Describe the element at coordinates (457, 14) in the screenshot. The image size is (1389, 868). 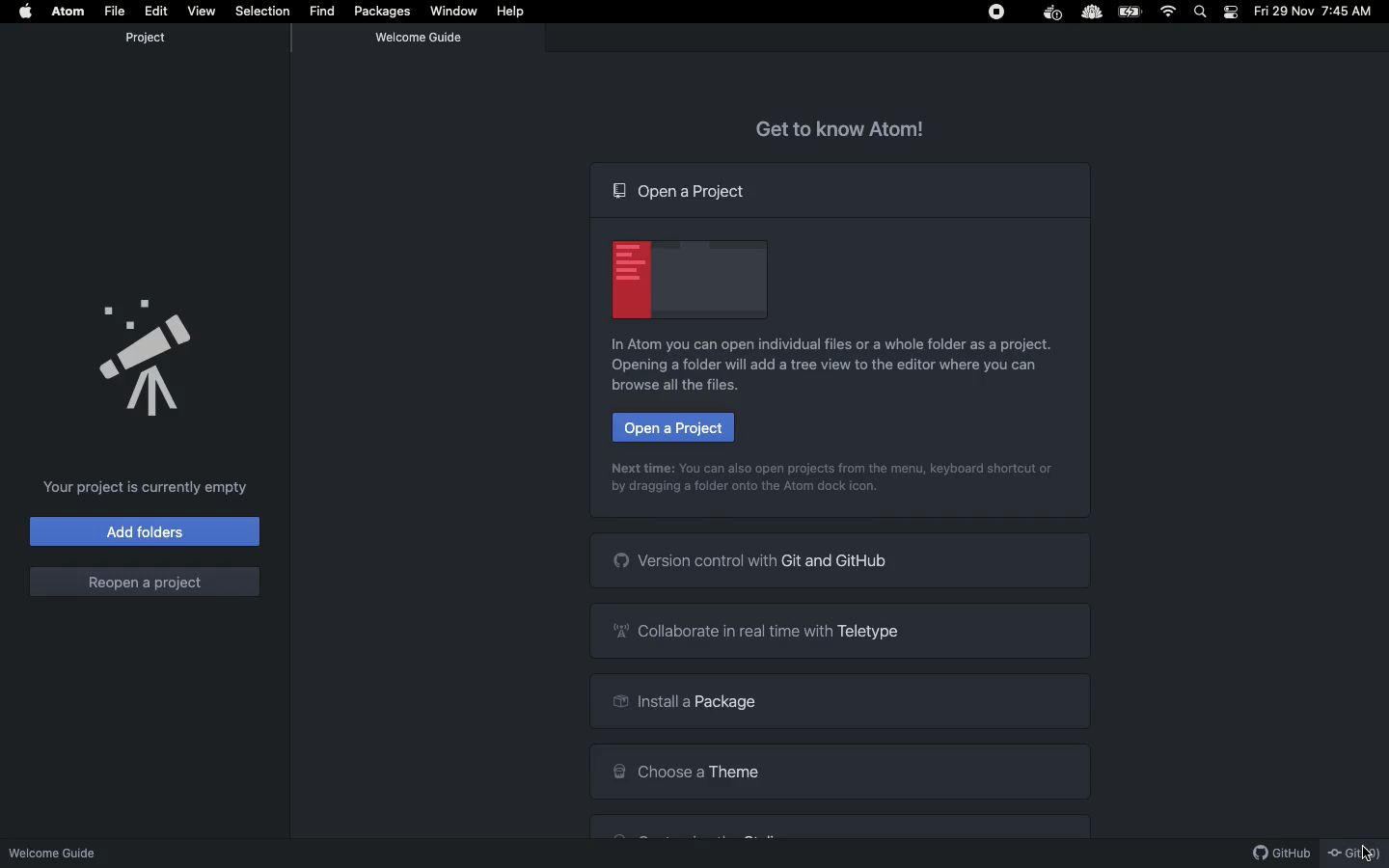
I see `Window` at that location.